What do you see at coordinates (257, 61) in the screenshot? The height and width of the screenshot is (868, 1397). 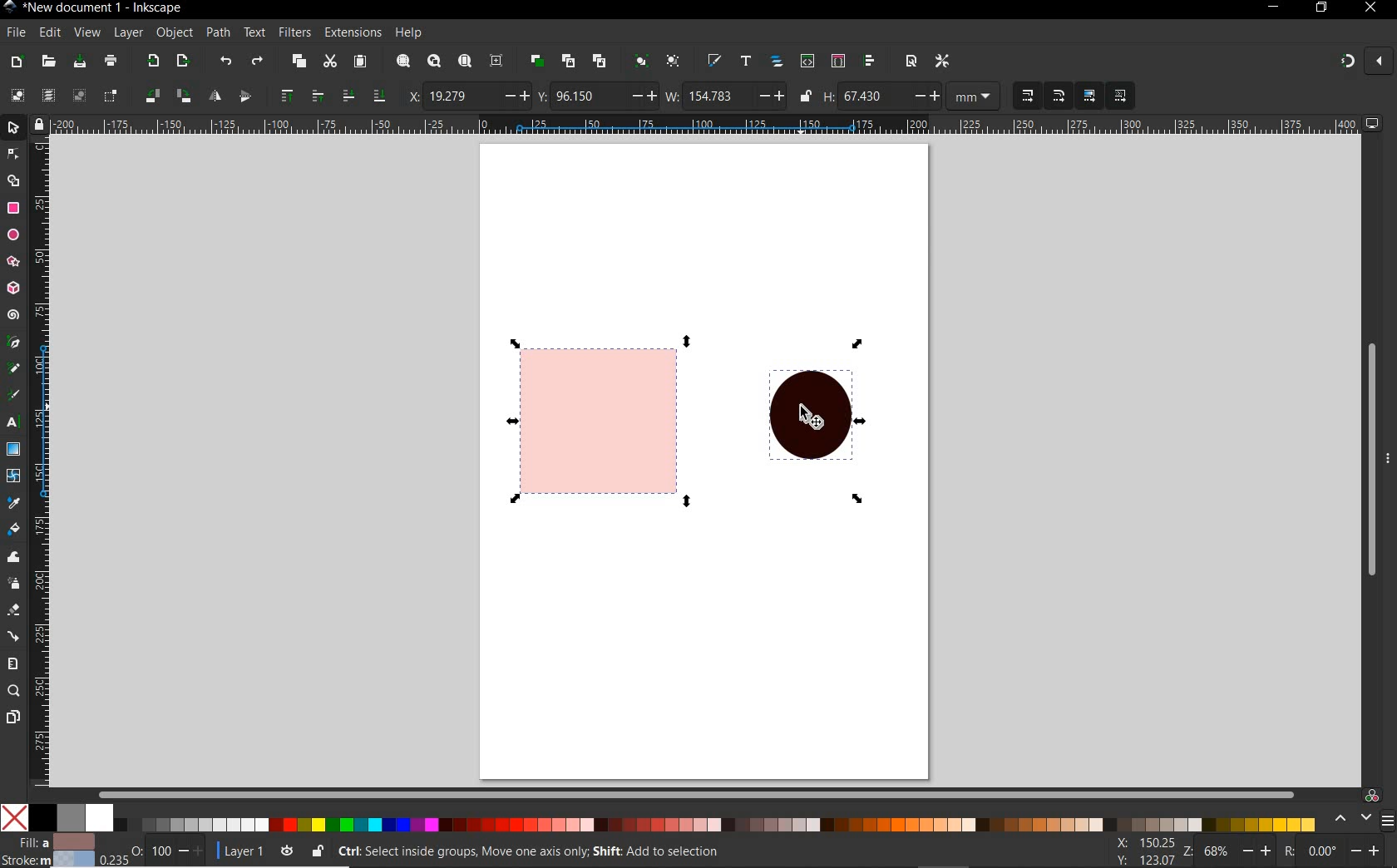 I see `redo` at bounding box center [257, 61].